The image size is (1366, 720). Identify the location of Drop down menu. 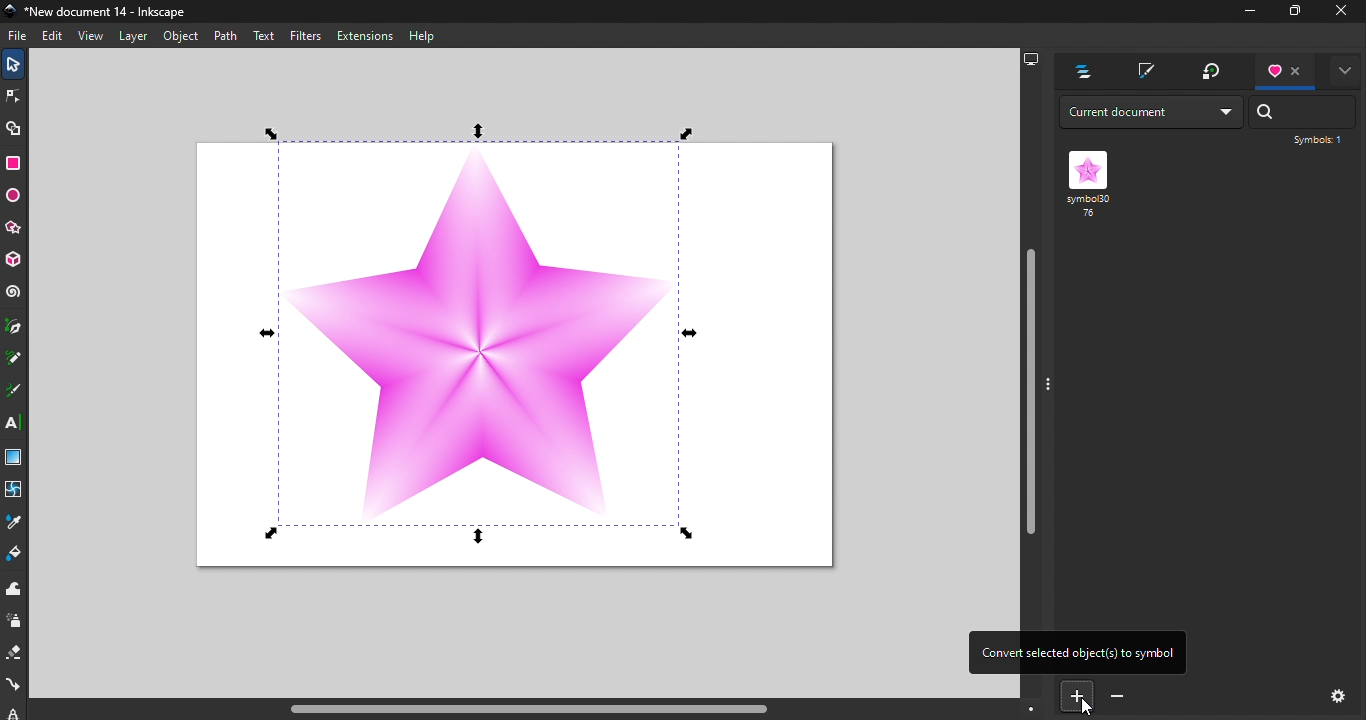
(1149, 112).